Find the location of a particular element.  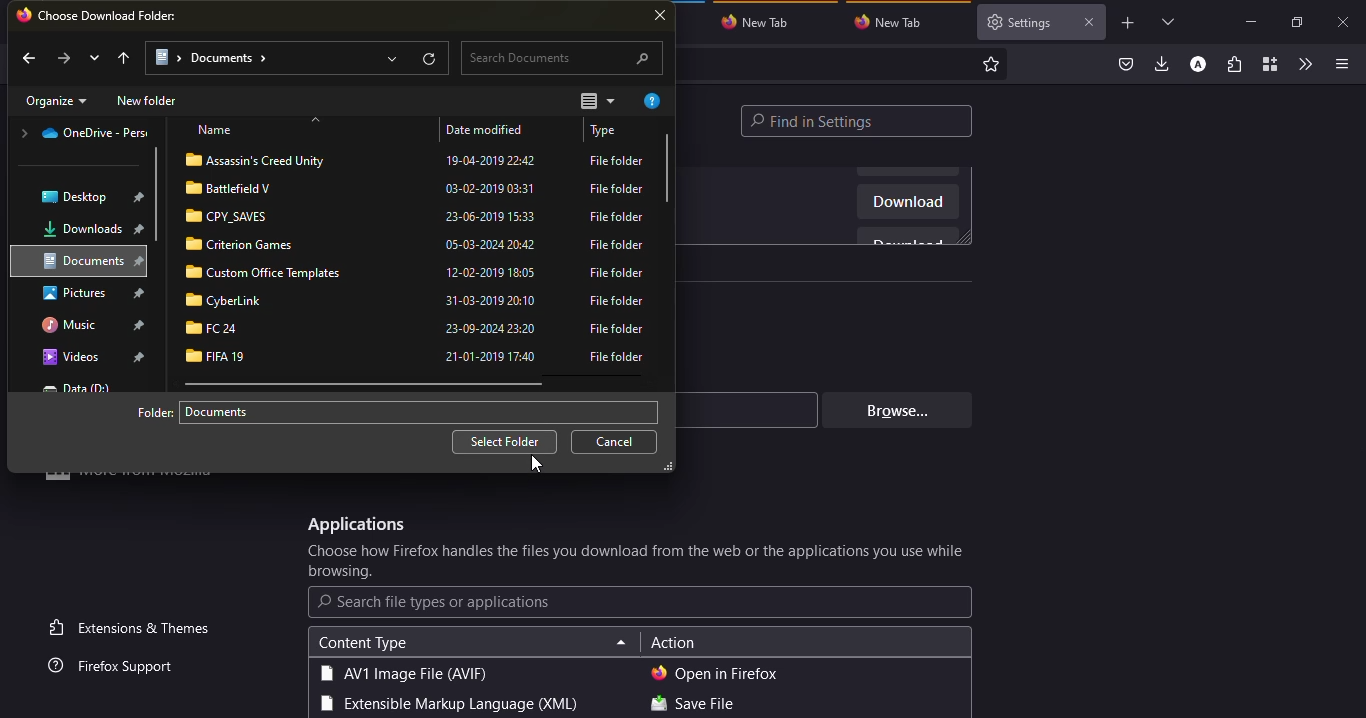

location is located at coordinates (77, 388).